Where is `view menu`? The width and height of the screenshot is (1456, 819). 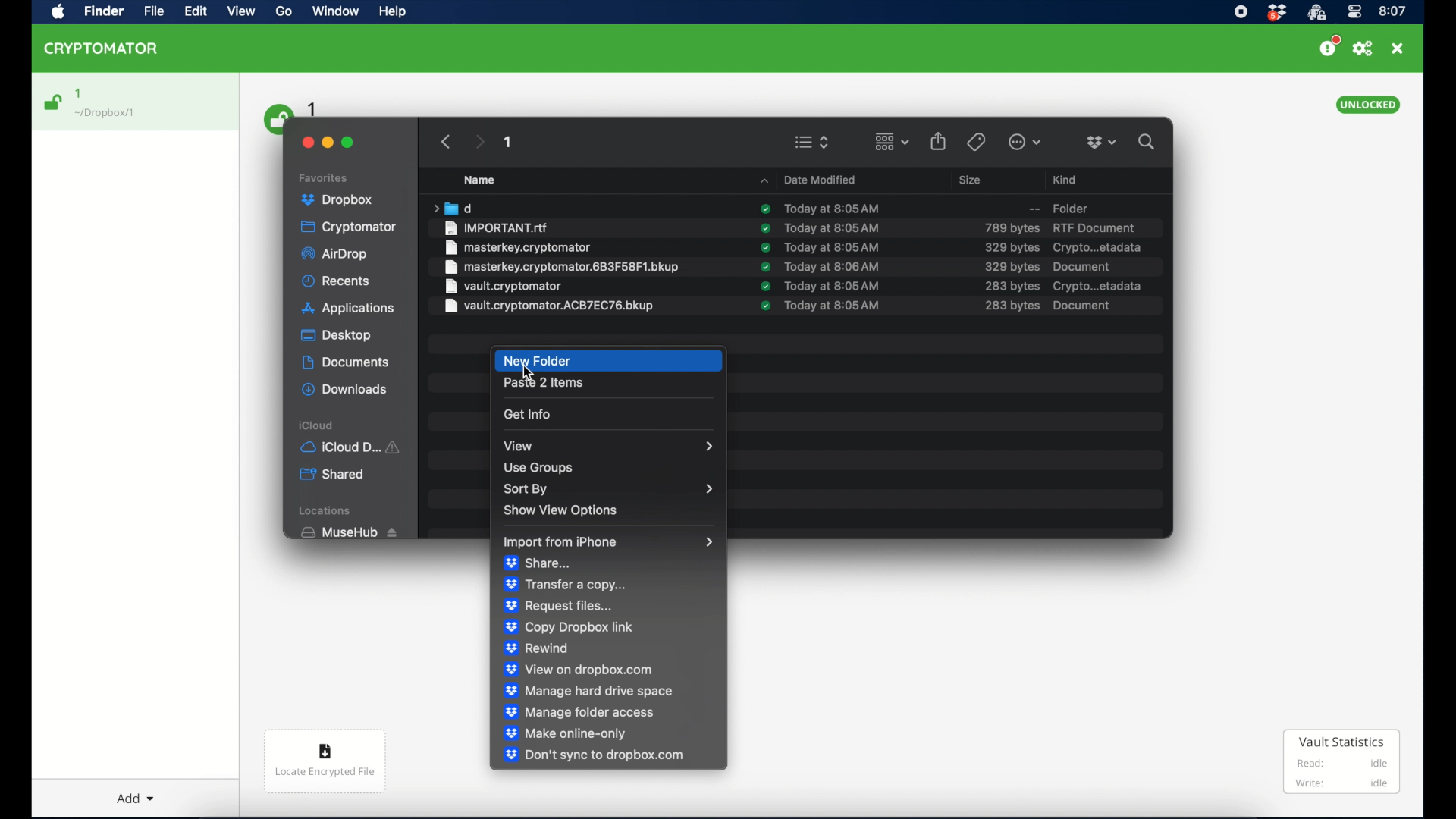 view menu is located at coordinates (607, 446).